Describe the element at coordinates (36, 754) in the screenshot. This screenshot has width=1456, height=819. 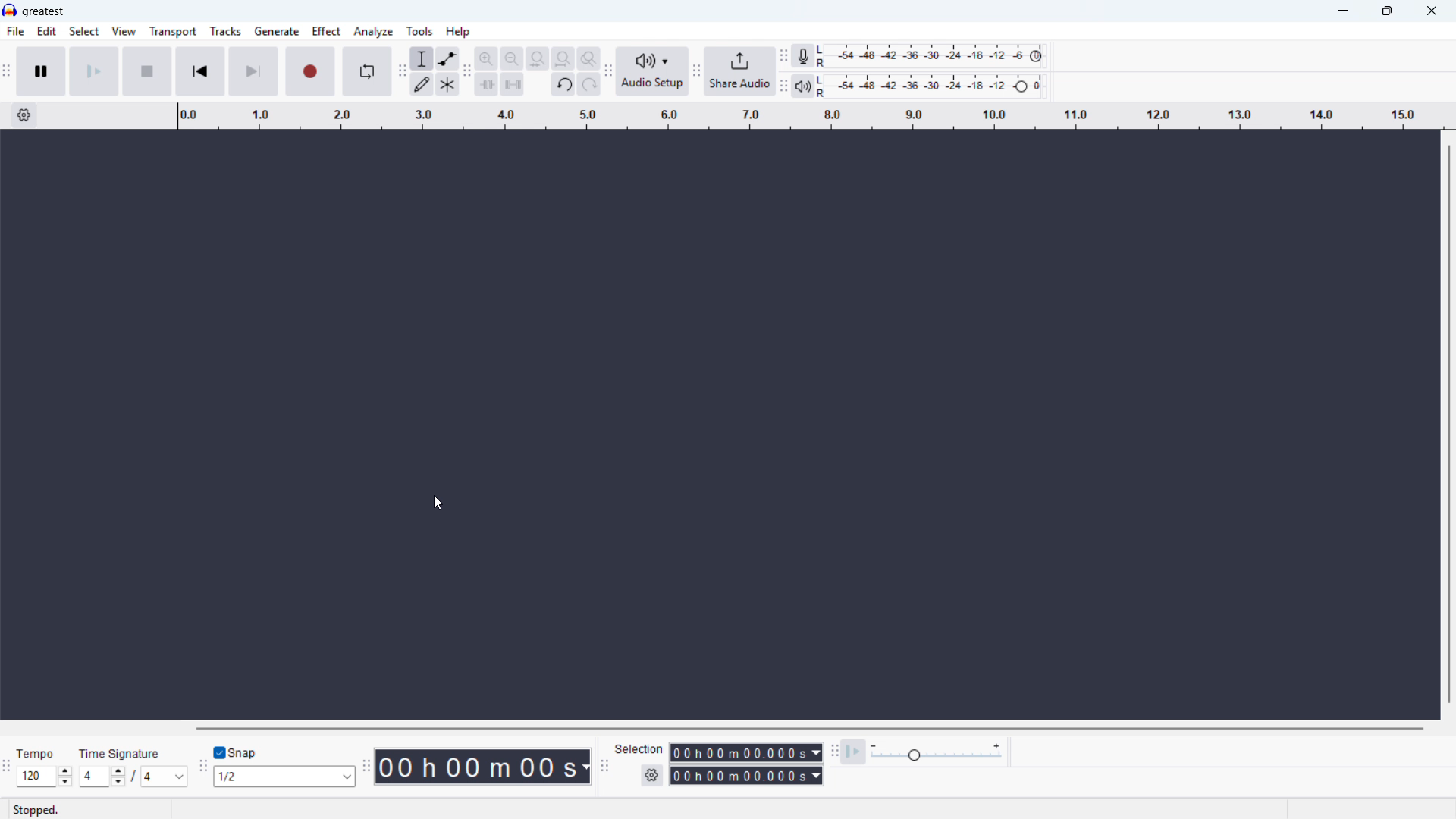
I see `tempo` at that location.